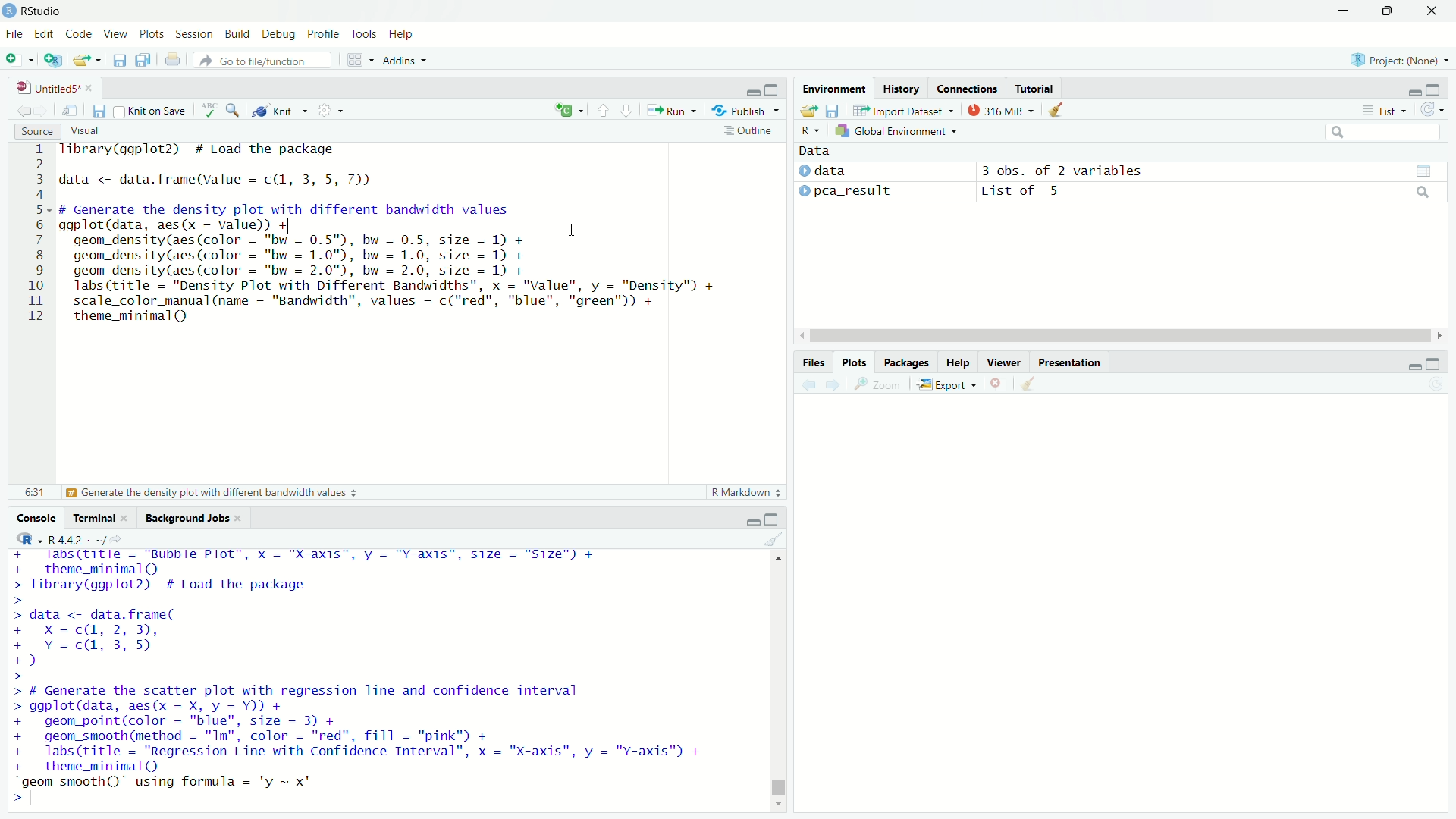 The height and width of the screenshot is (819, 1456). I want to click on R, so click(811, 130).